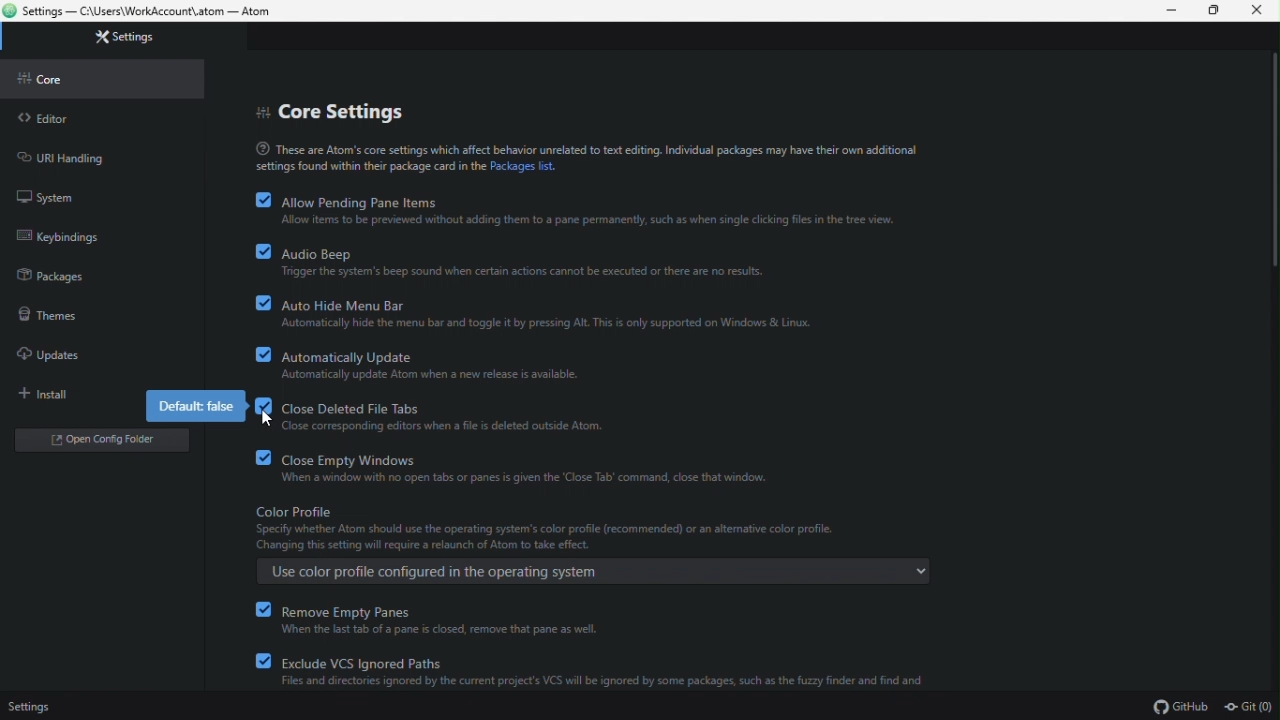 Image resolution: width=1280 pixels, height=720 pixels. I want to click on checkbox, so click(266, 406).